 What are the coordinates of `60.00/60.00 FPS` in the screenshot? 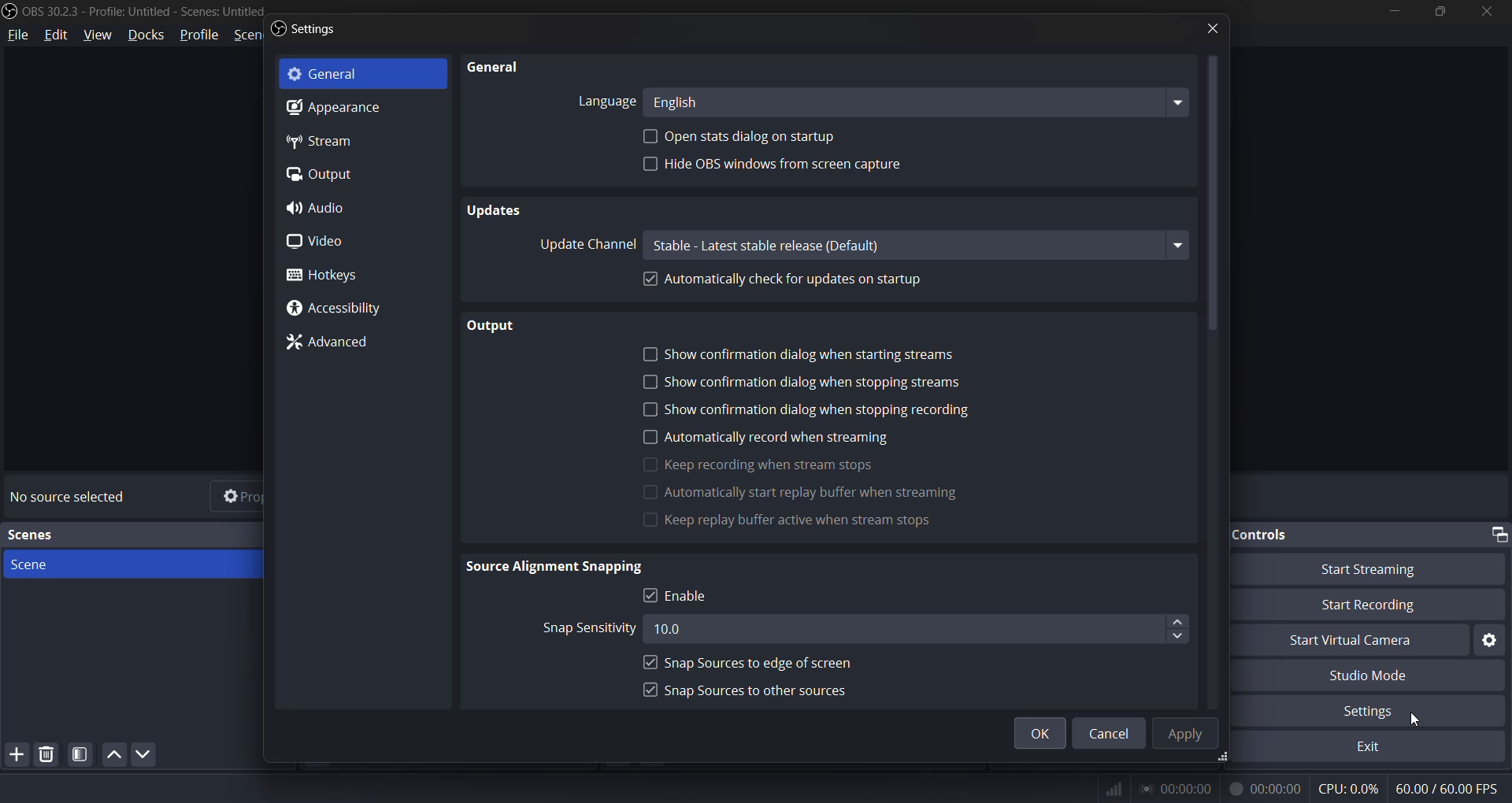 It's located at (1446, 789).